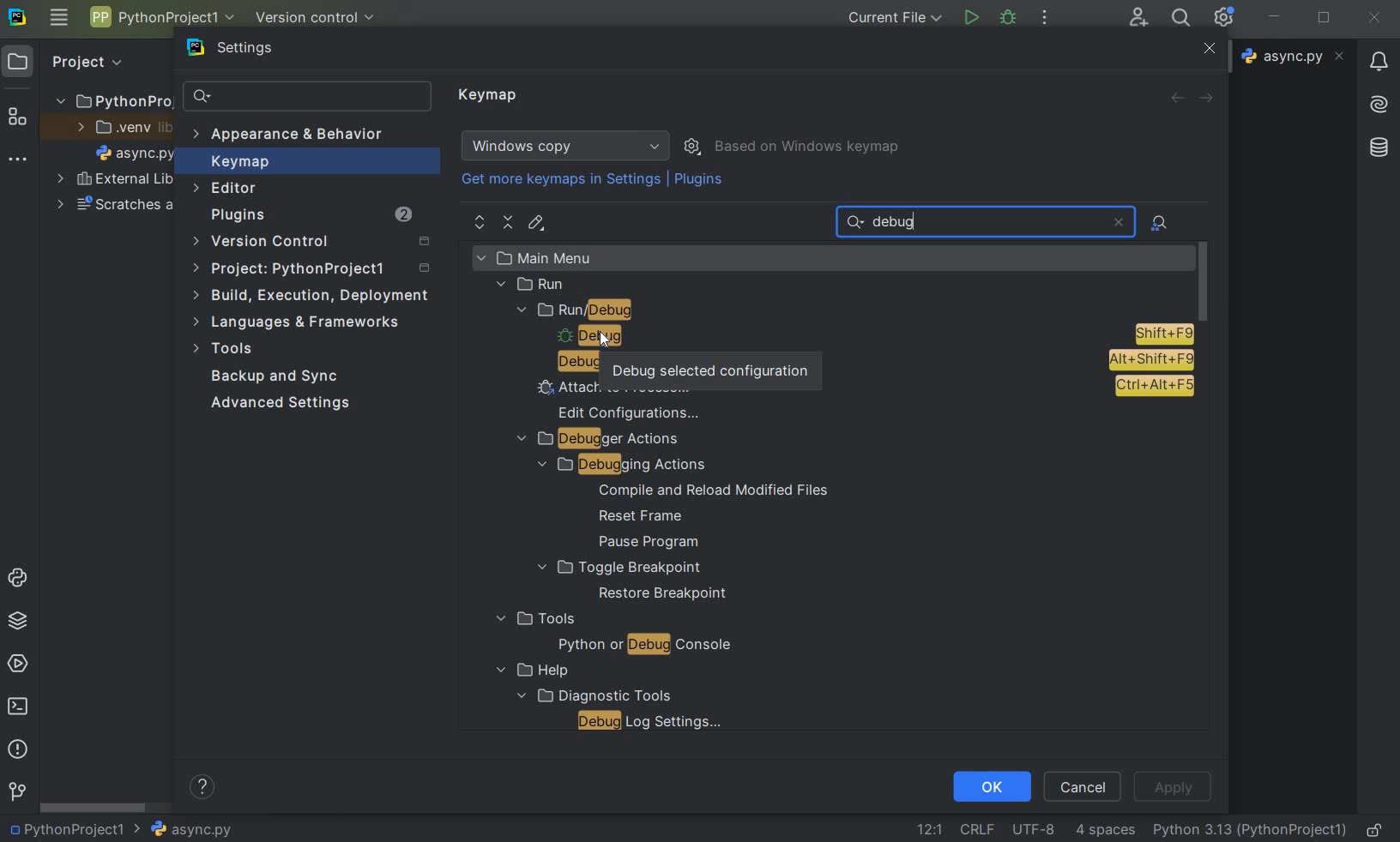 The image size is (1400, 842). I want to click on file actions by shortcuts, so click(1161, 223).